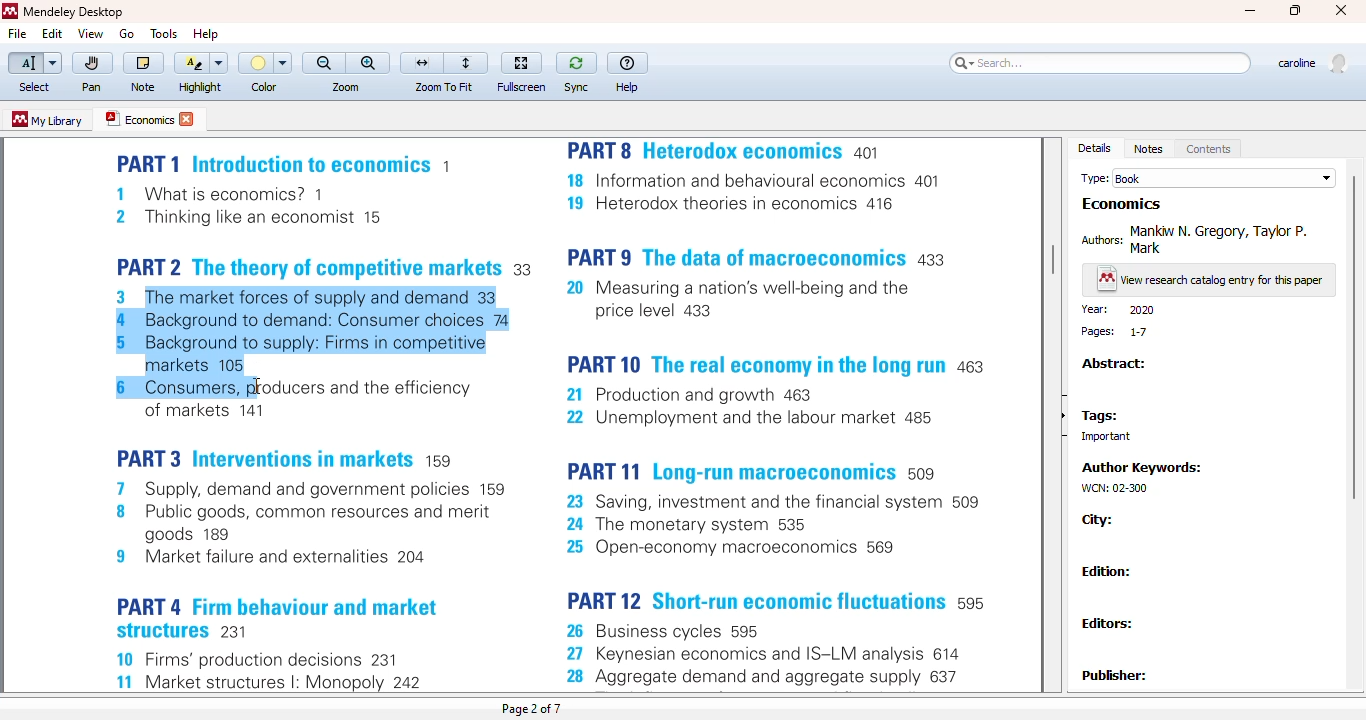 This screenshot has width=1366, height=720. Describe the element at coordinates (627, 63) in the screenshot. I see `help` at that location.